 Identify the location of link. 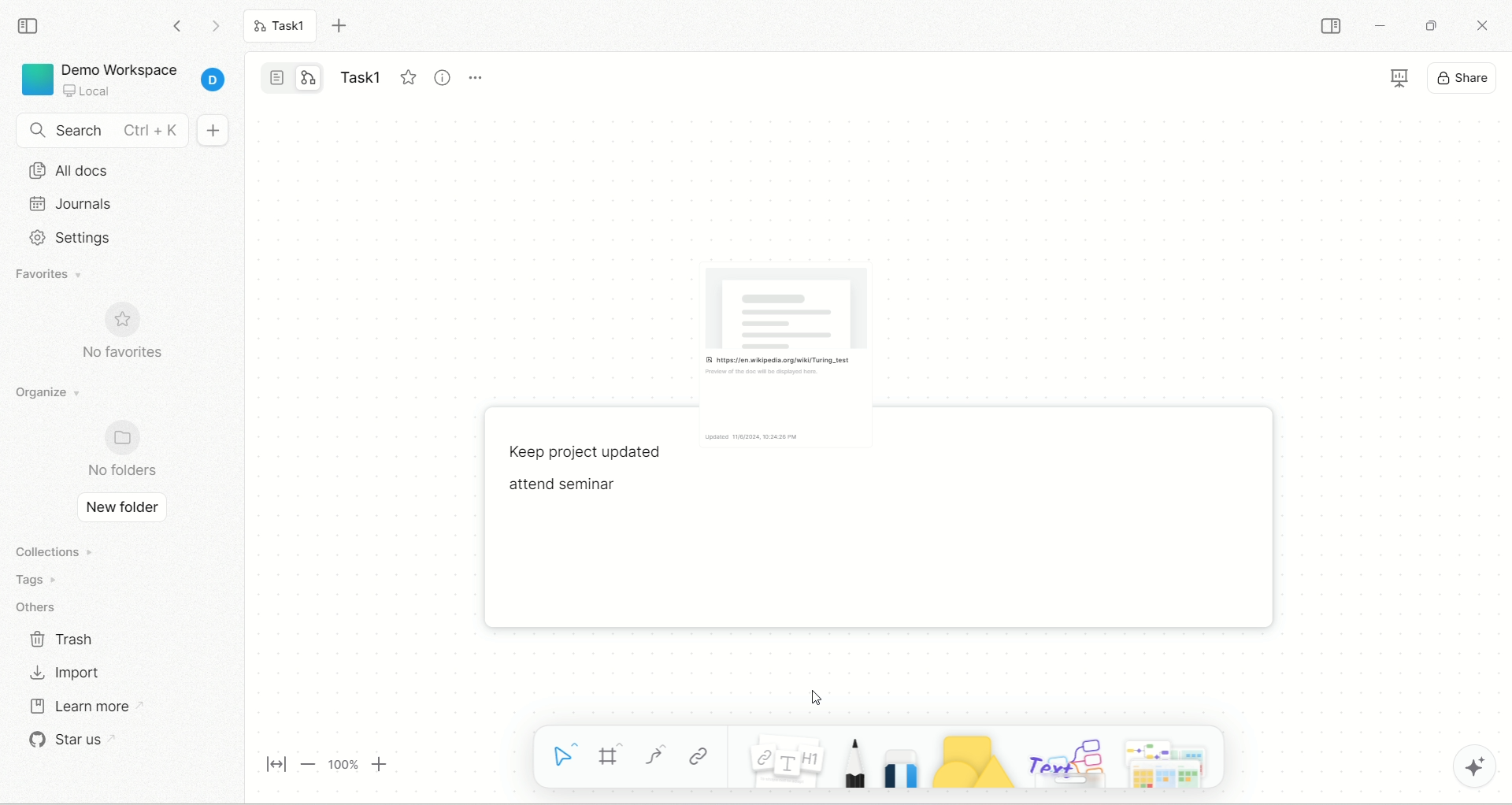
(699, 751).